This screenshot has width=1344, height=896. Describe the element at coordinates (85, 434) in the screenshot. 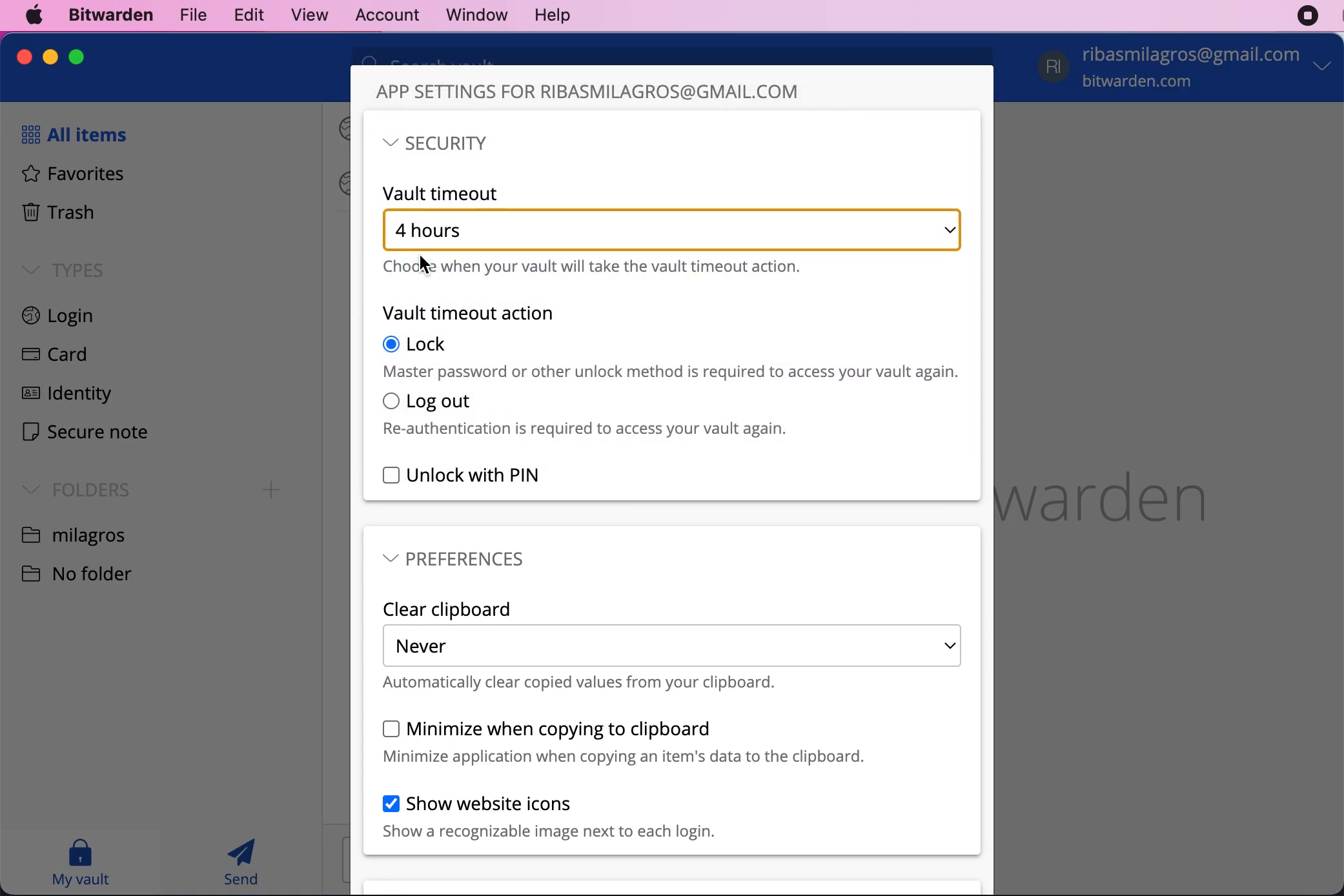

I see `secure note` at that location.